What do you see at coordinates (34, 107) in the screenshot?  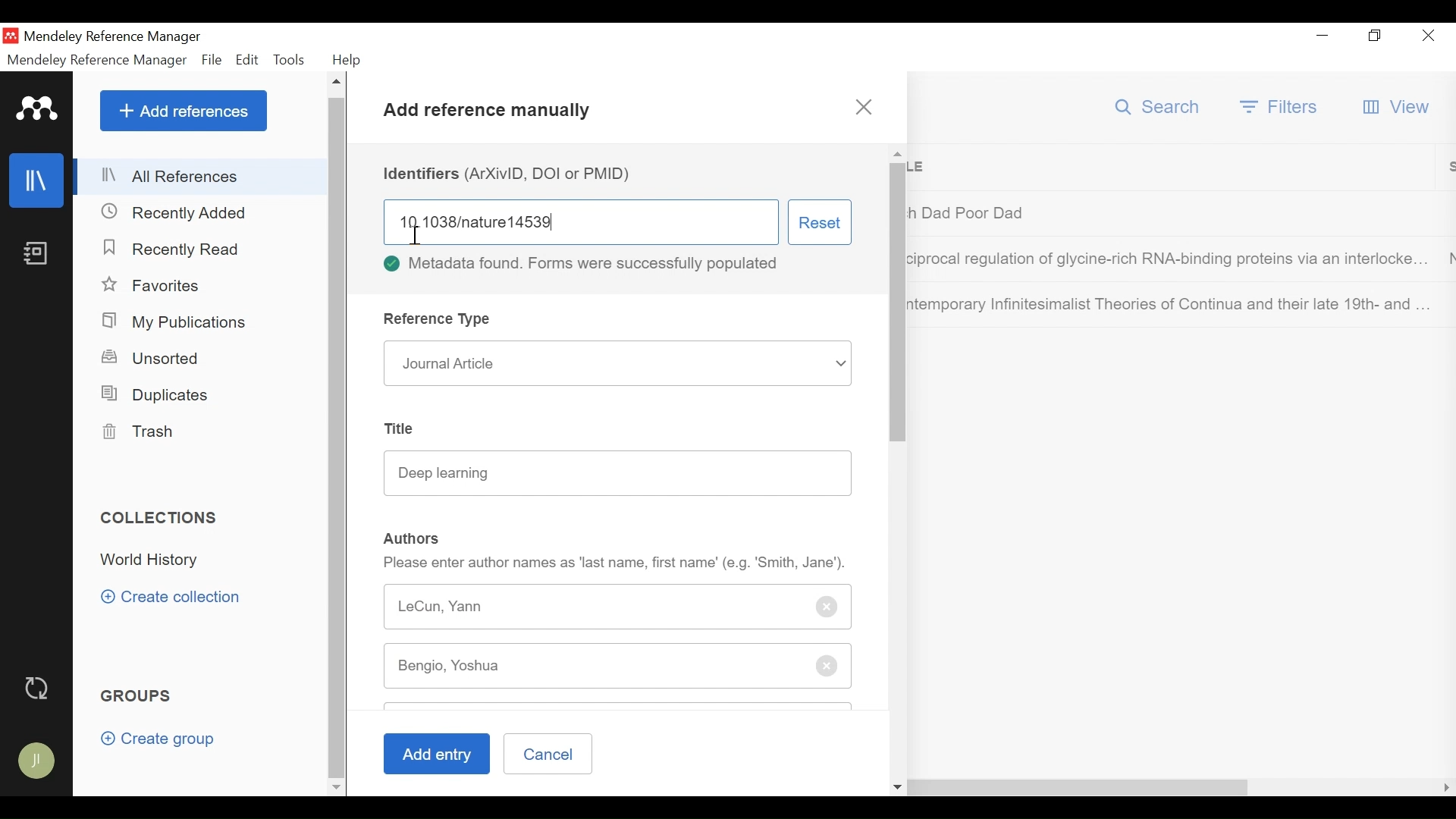 I see `Mendeley Logo` at bounding box center [34, 107].